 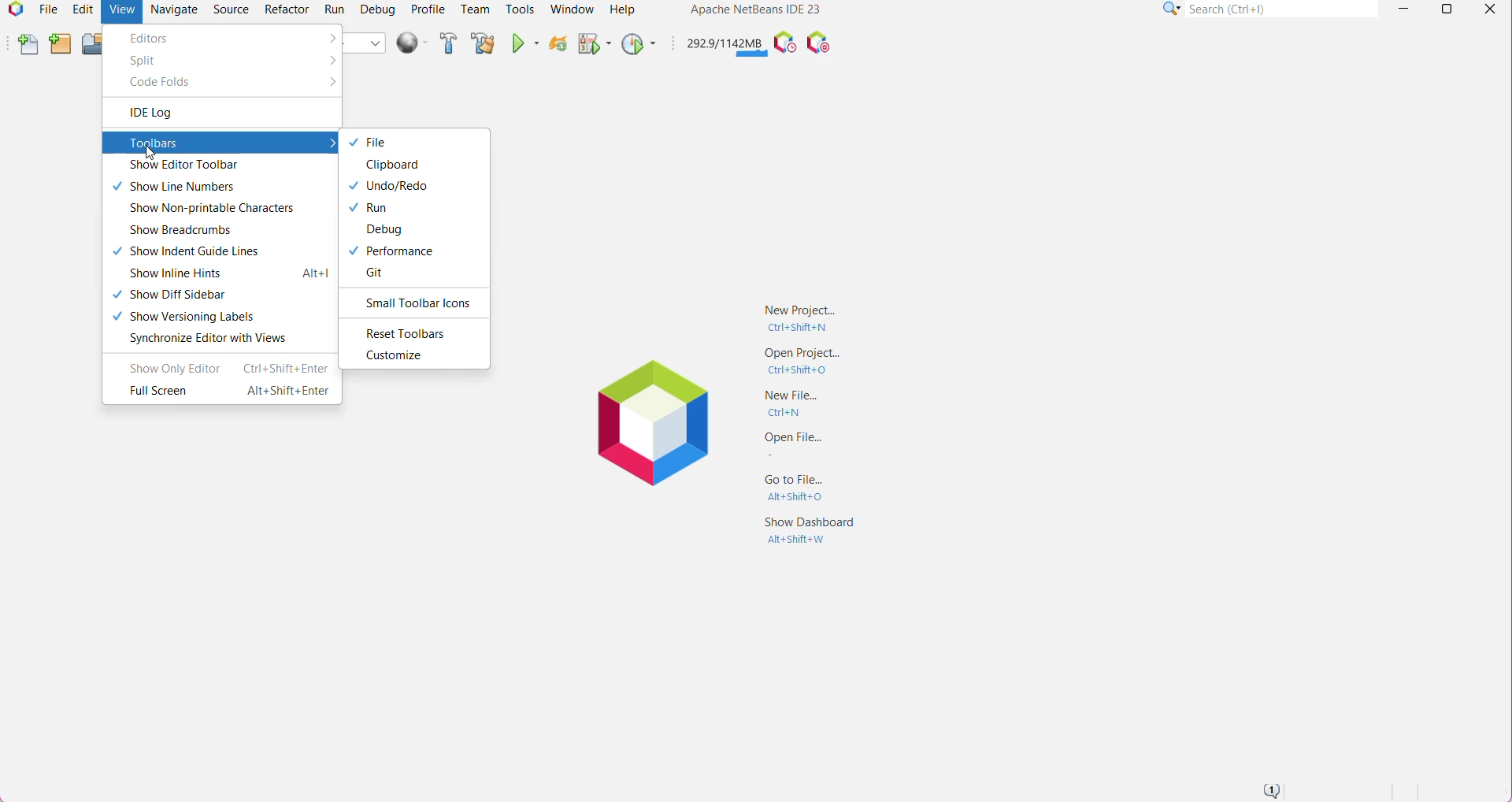 I want to click on Customize, so click(x=392, y=356).